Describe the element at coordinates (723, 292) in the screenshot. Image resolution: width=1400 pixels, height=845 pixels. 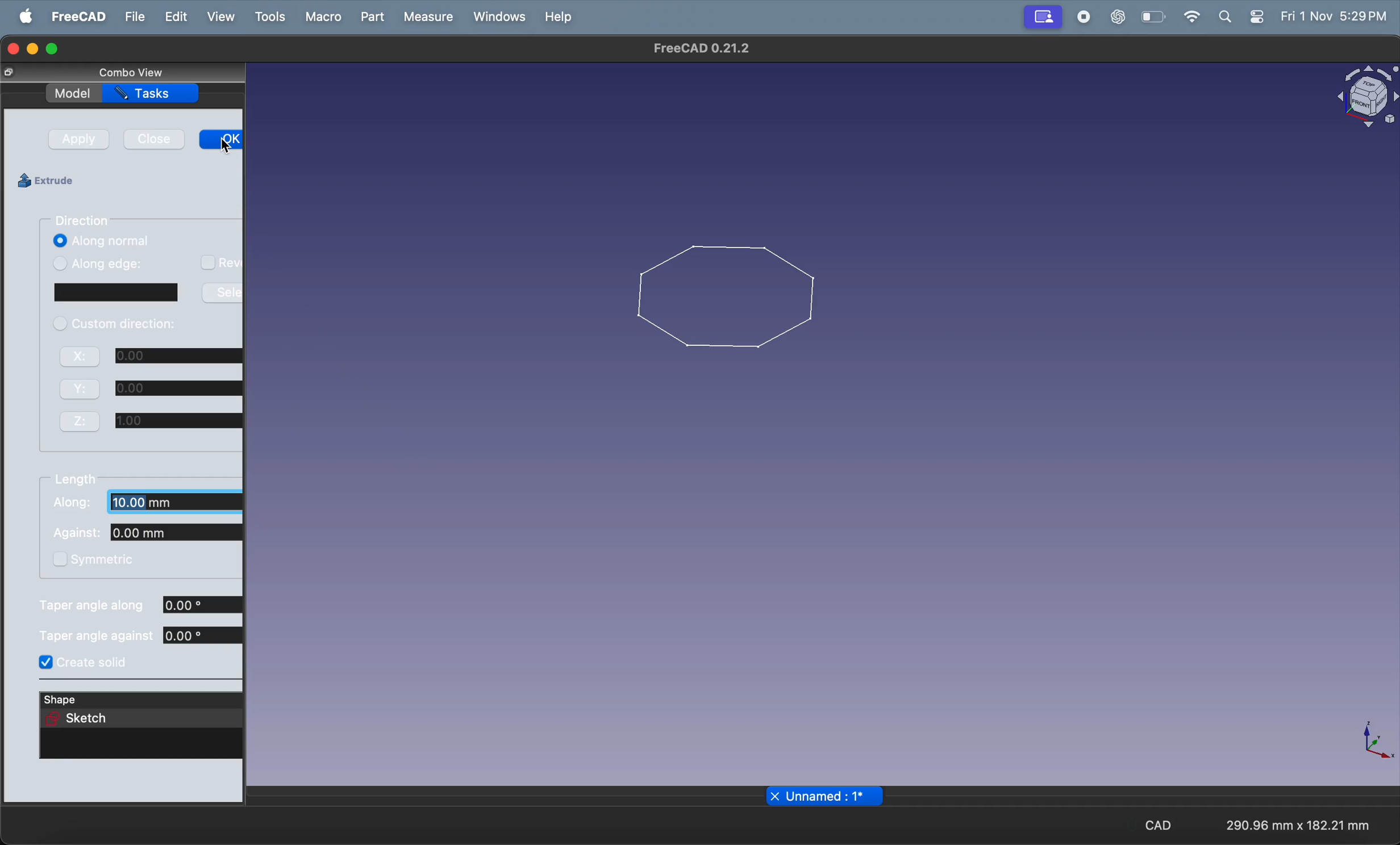
I see `2d polygon` at that location.